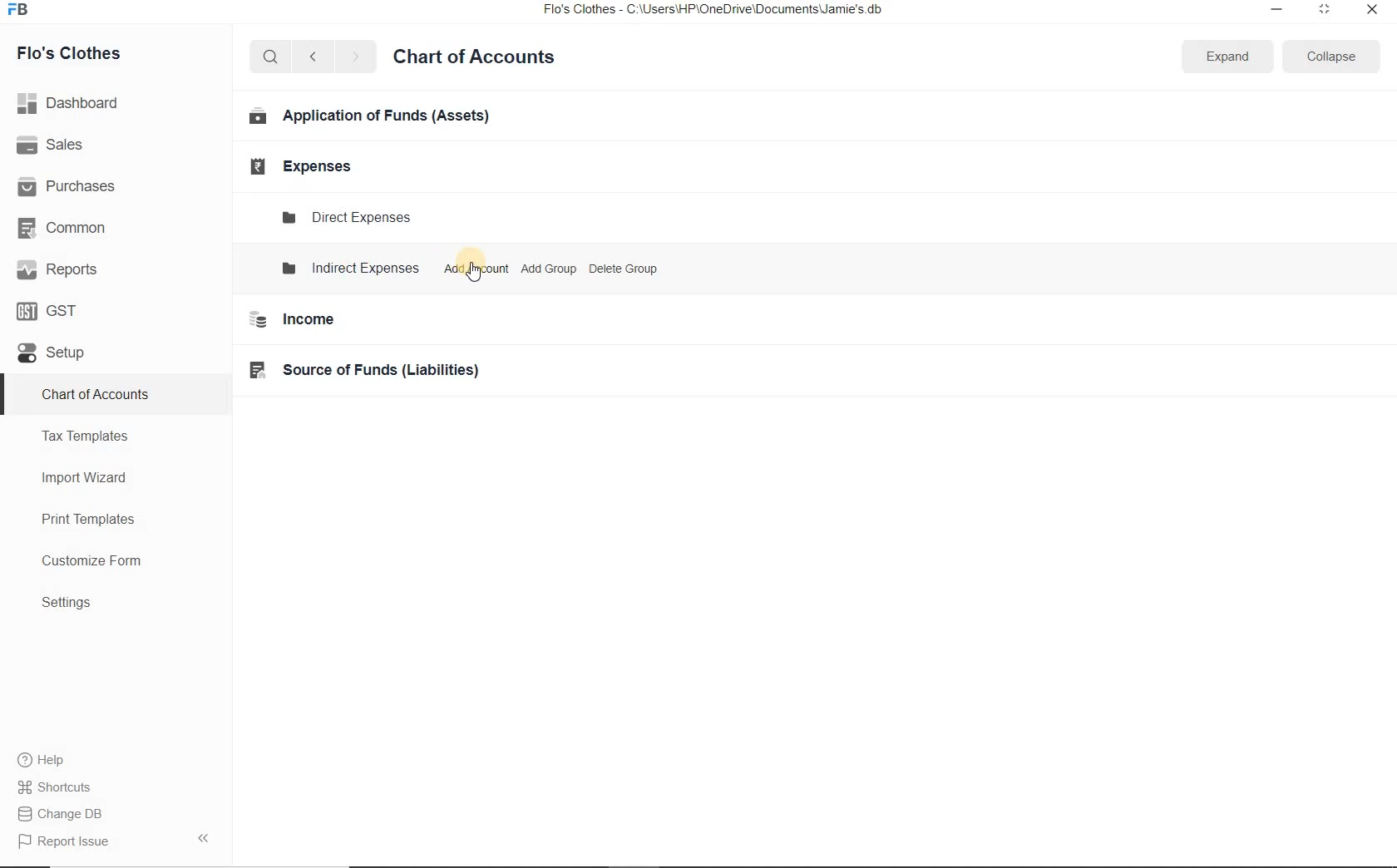 The width and height of the screenshot is (1397, 868). What do you see at coordinates (53, 145) in the screenshot?
I see `Sales` at bounding box center [53, 145].